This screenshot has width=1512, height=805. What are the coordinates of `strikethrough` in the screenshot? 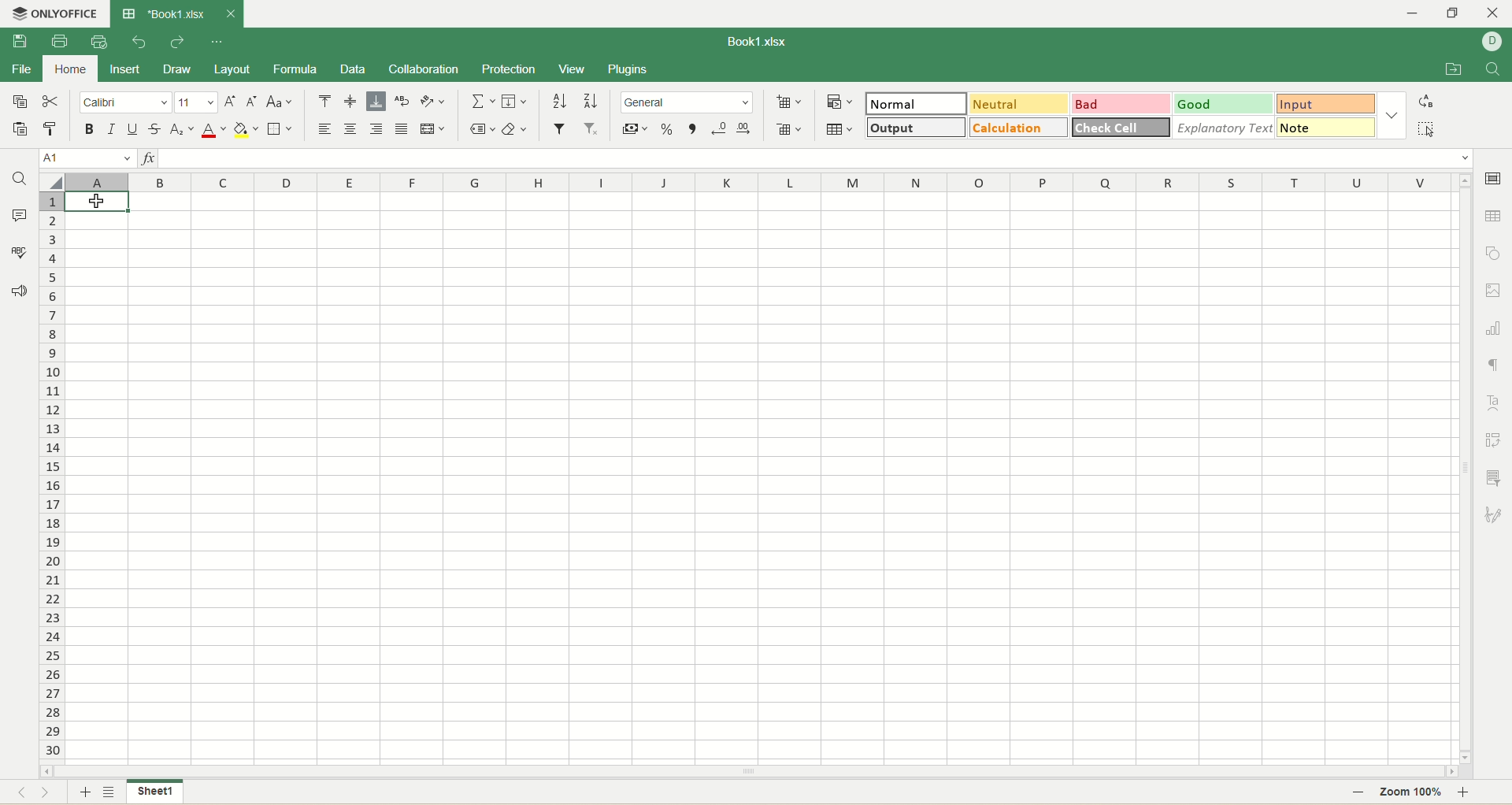 It's located at (157, 128).